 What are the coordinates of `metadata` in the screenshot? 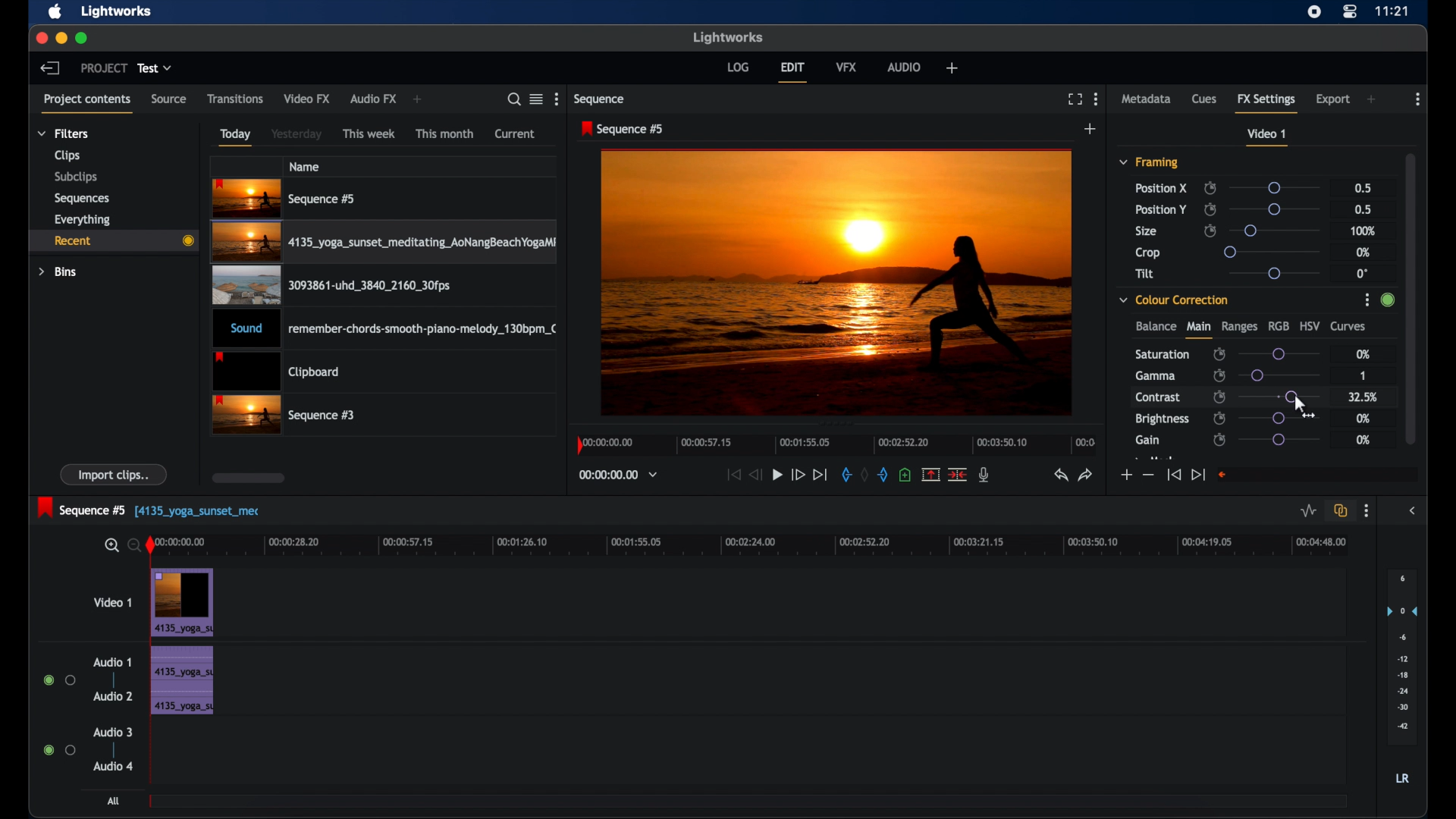 It's located at (1147, 98).